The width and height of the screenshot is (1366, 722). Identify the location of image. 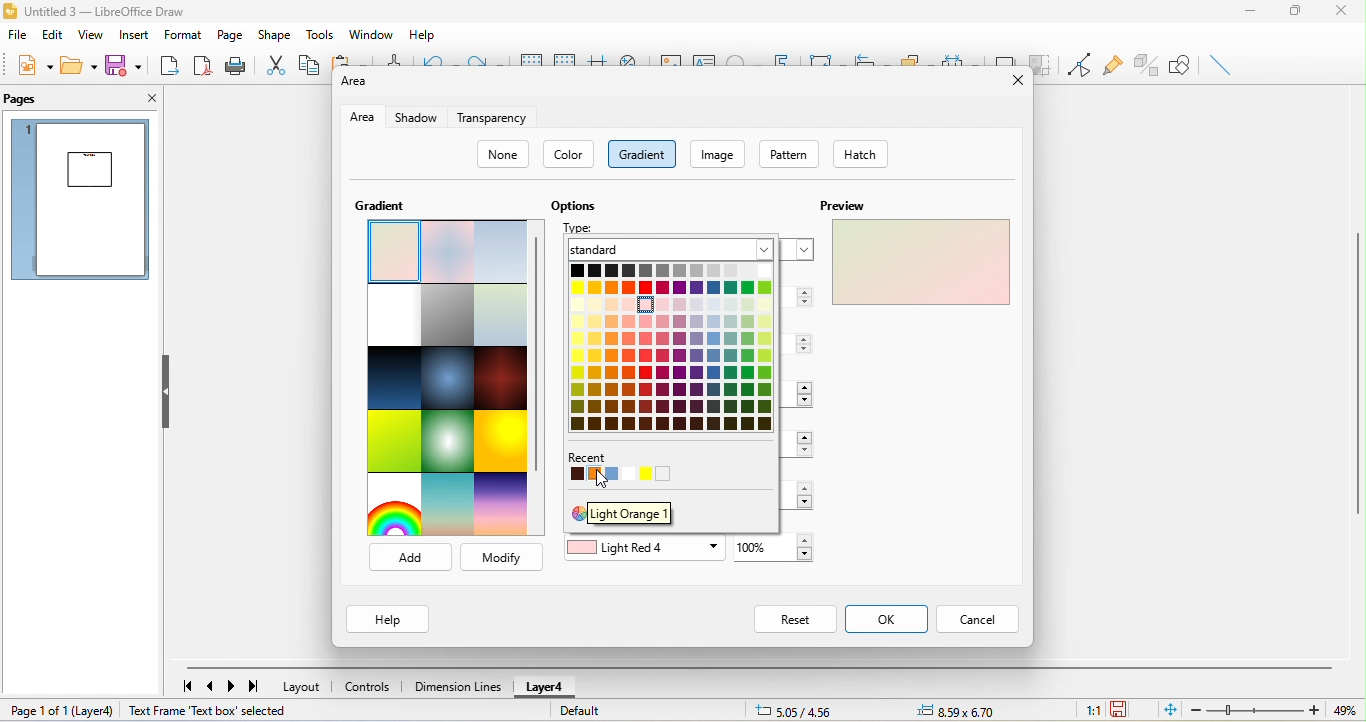
(667, 58).